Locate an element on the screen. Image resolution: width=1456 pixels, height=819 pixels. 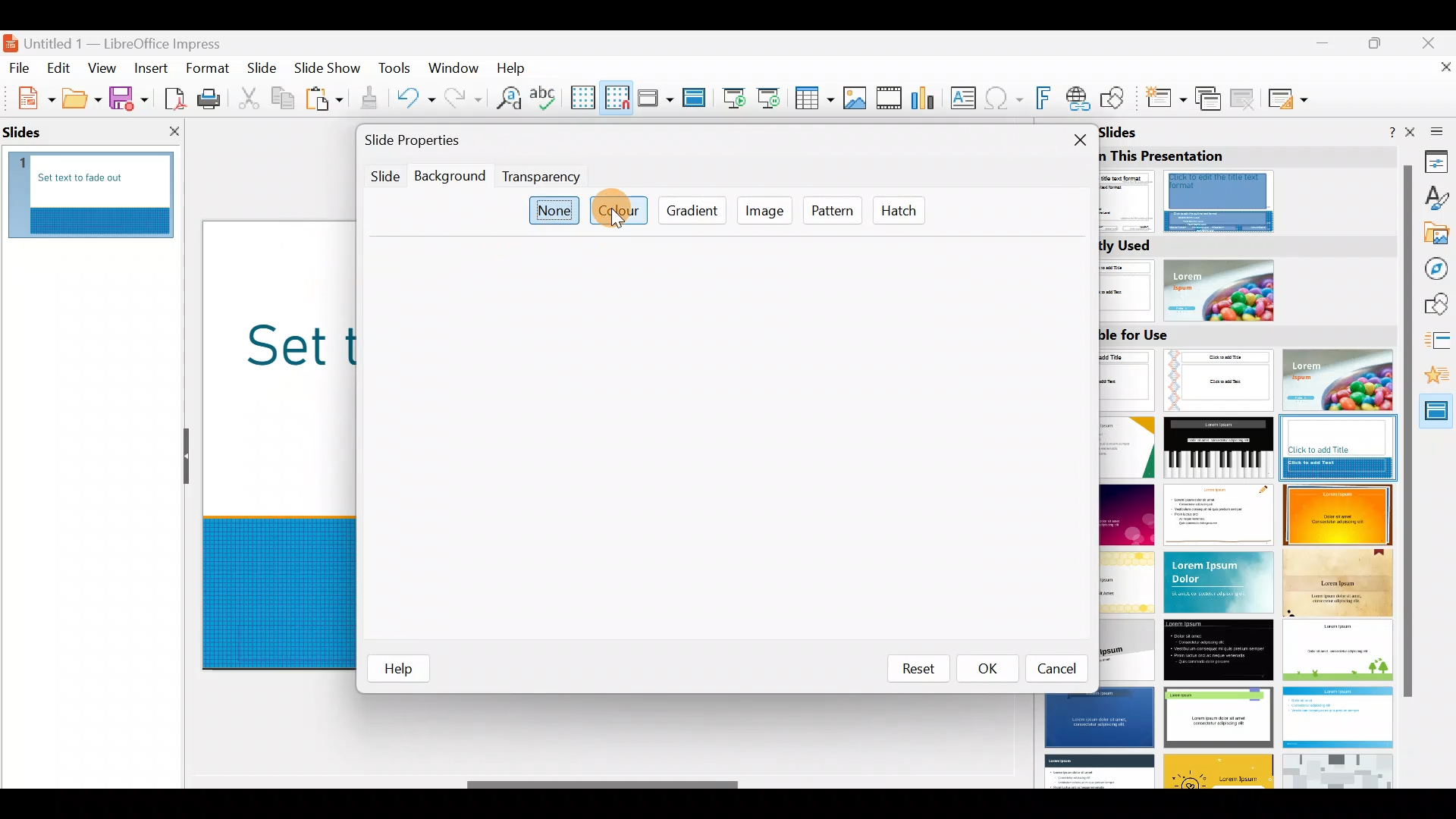
Colour is located at coordinates (618, 212).